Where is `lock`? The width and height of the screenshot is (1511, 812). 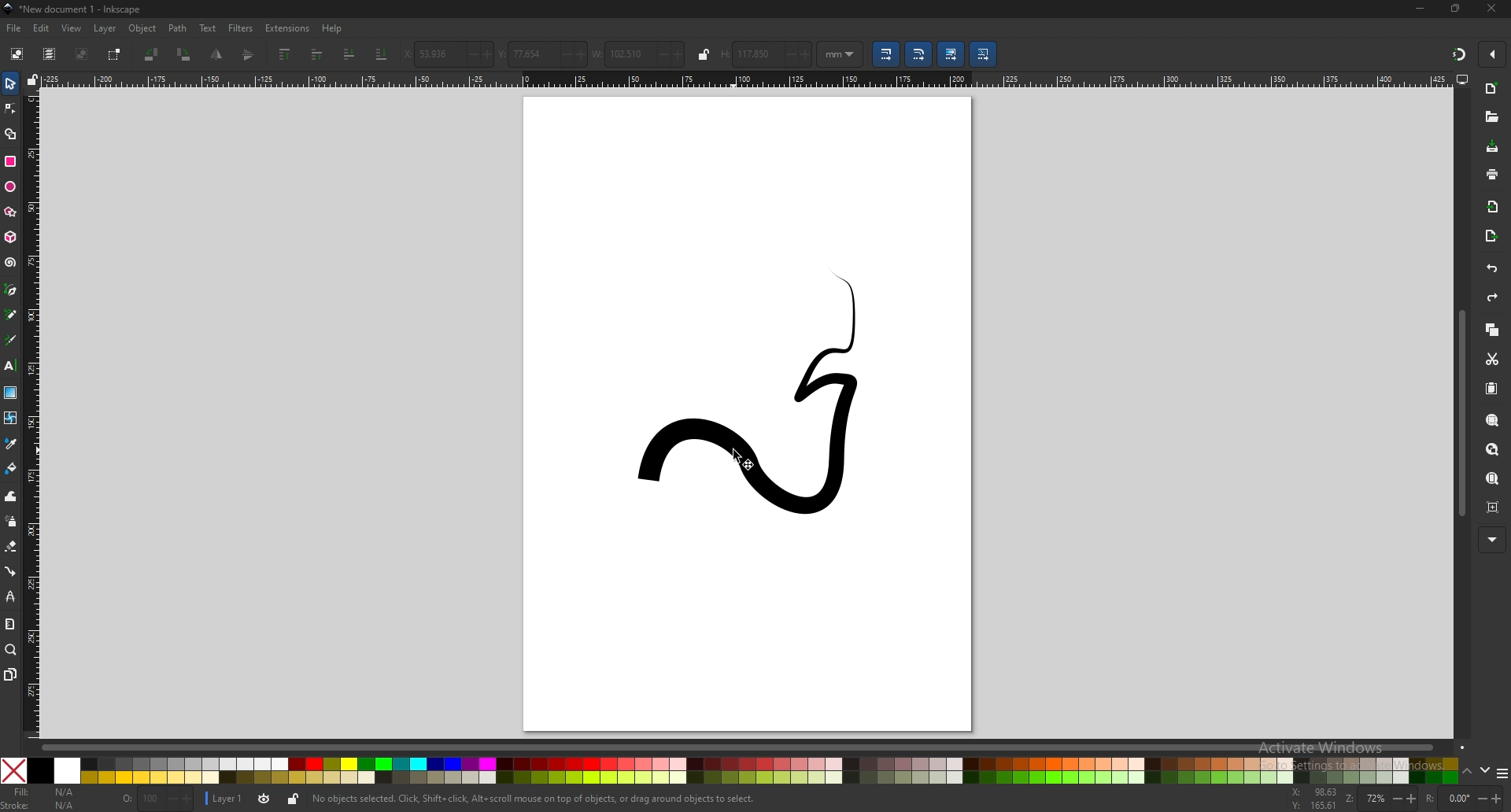
lock is located at coordinates (293, 799).